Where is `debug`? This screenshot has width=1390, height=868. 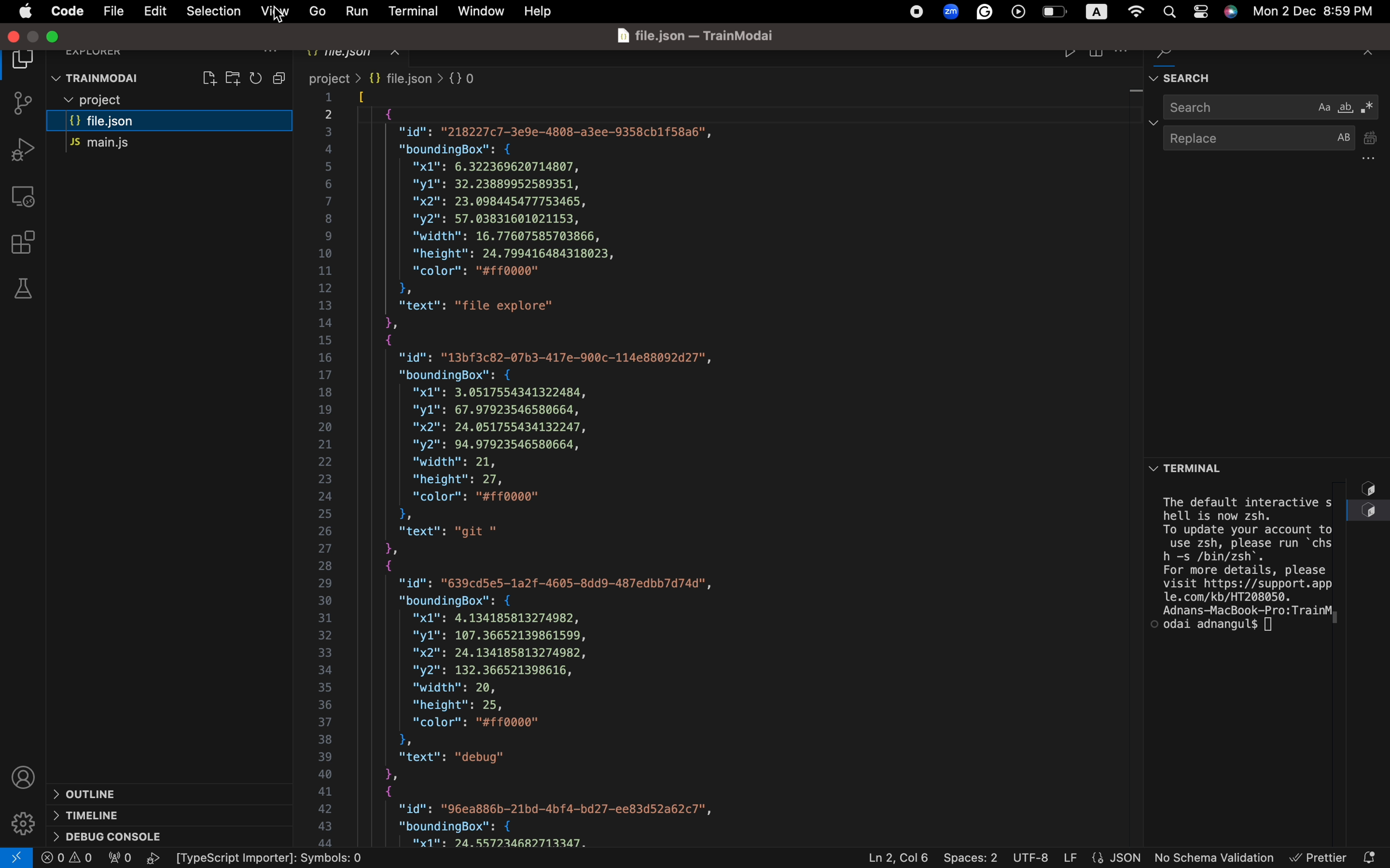 debug is located at coordinates (118, 838).